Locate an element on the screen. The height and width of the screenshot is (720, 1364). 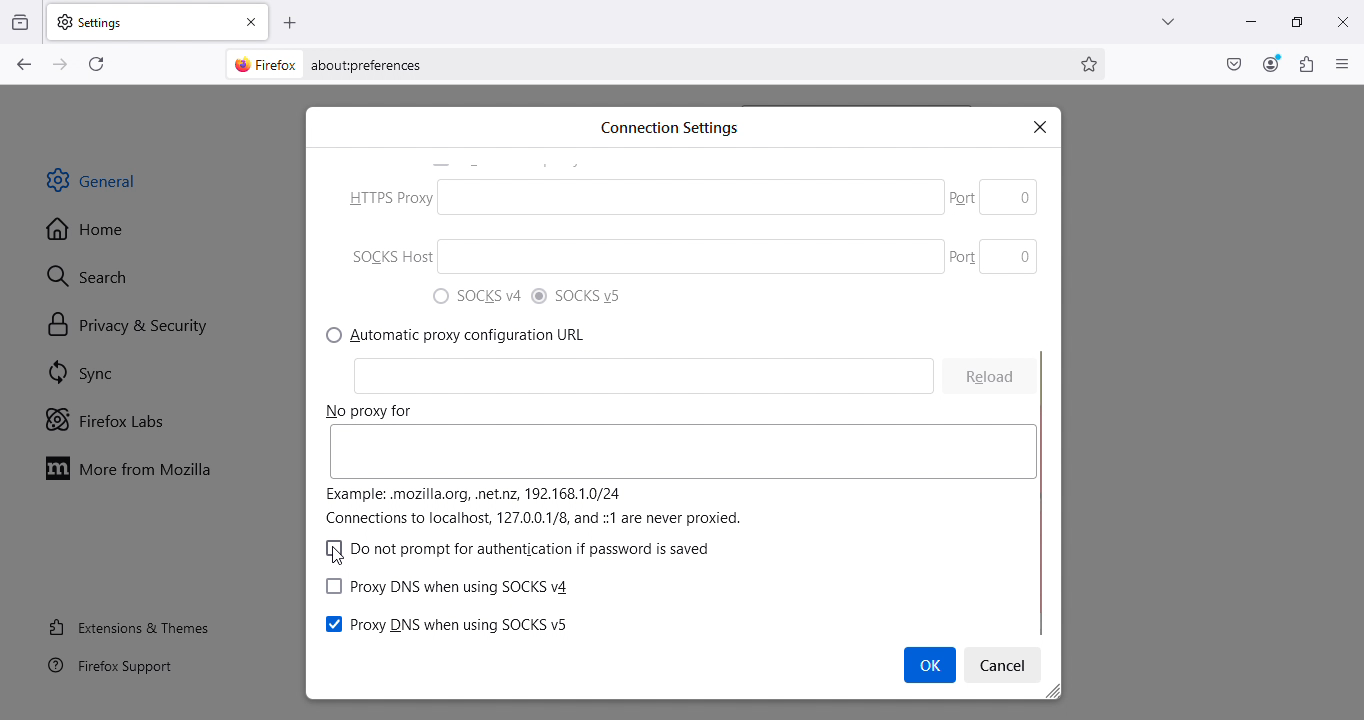
Account is located at coordinates (1271, 64).